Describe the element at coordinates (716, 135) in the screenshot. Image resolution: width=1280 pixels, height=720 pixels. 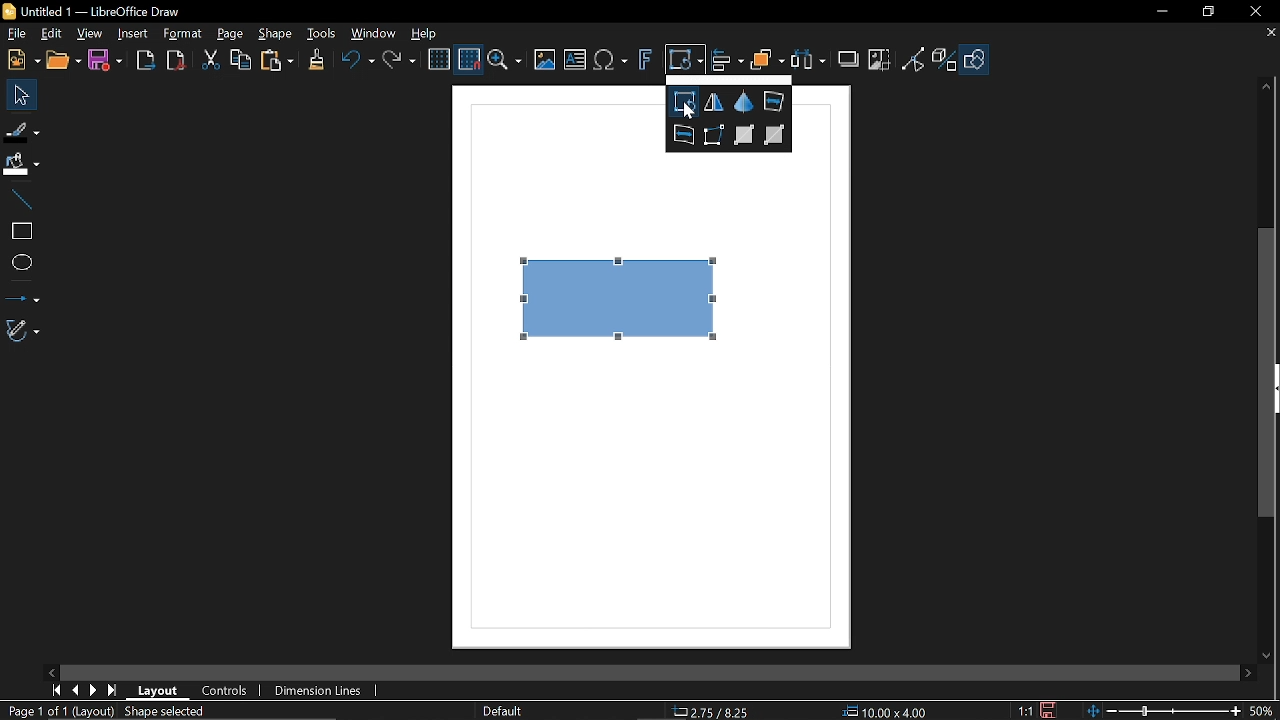
I see `Distort` at that location.